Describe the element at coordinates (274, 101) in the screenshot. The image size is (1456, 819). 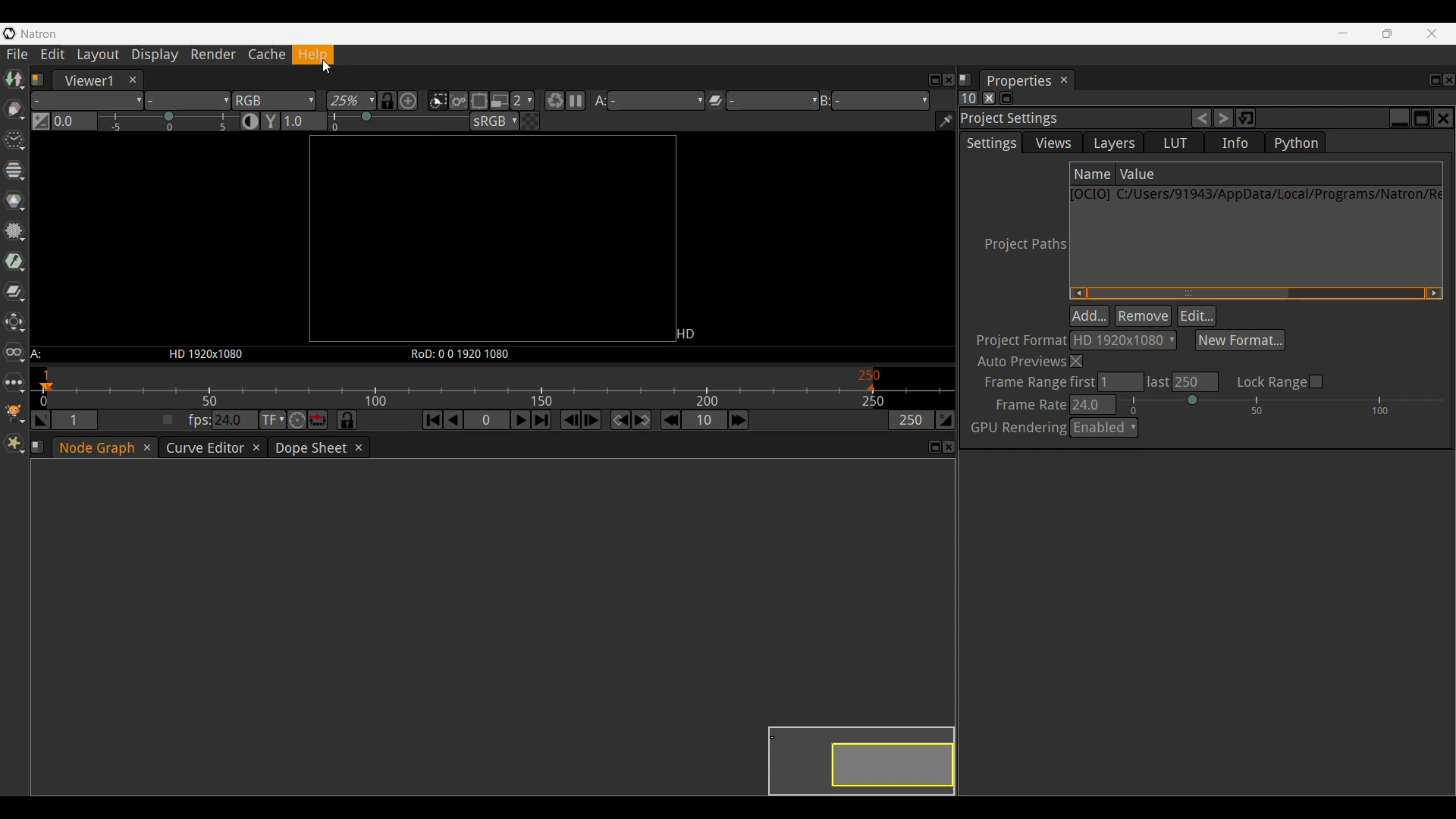
I see `RGB` at that location.